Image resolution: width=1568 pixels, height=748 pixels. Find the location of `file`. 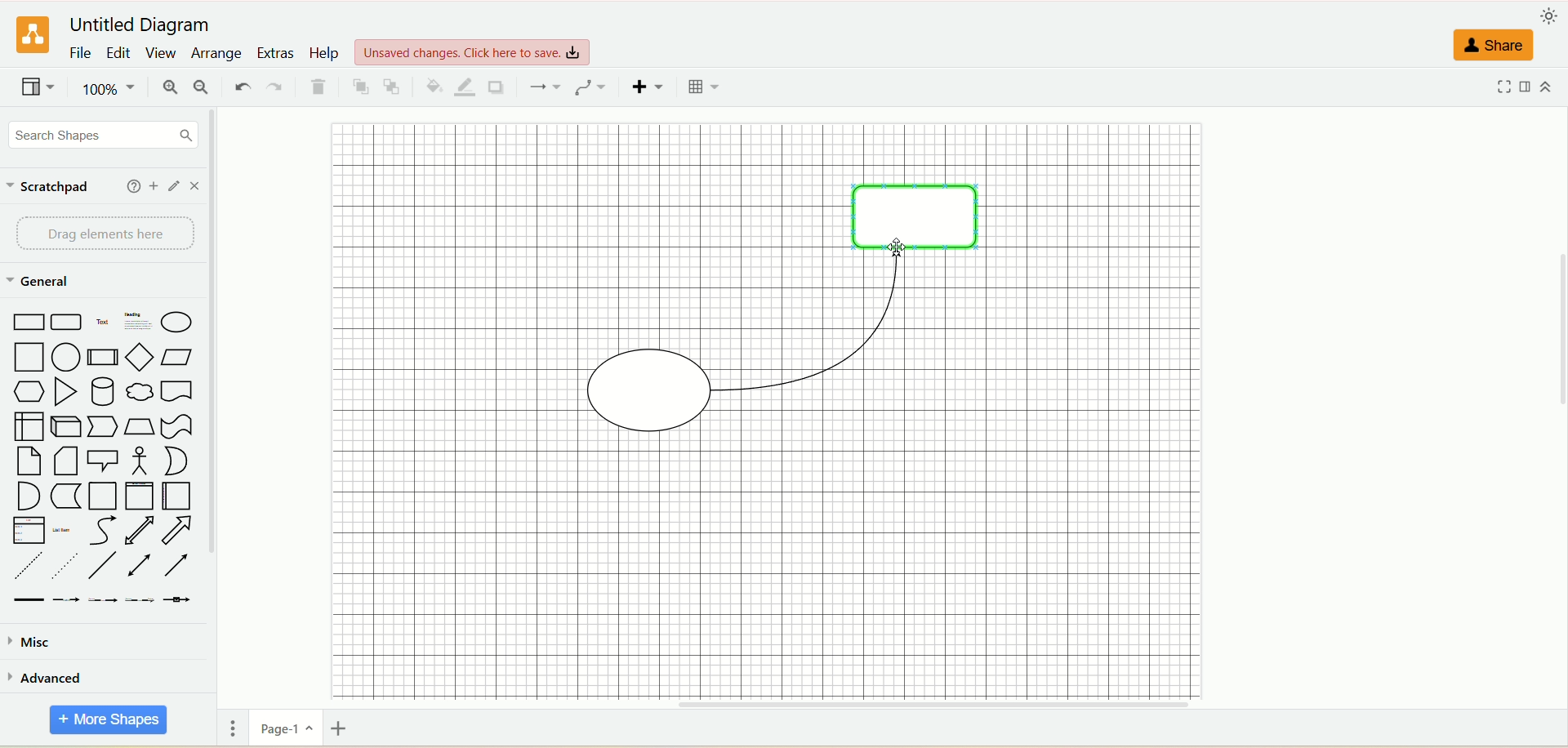

file is located at coordinates (79, 55).